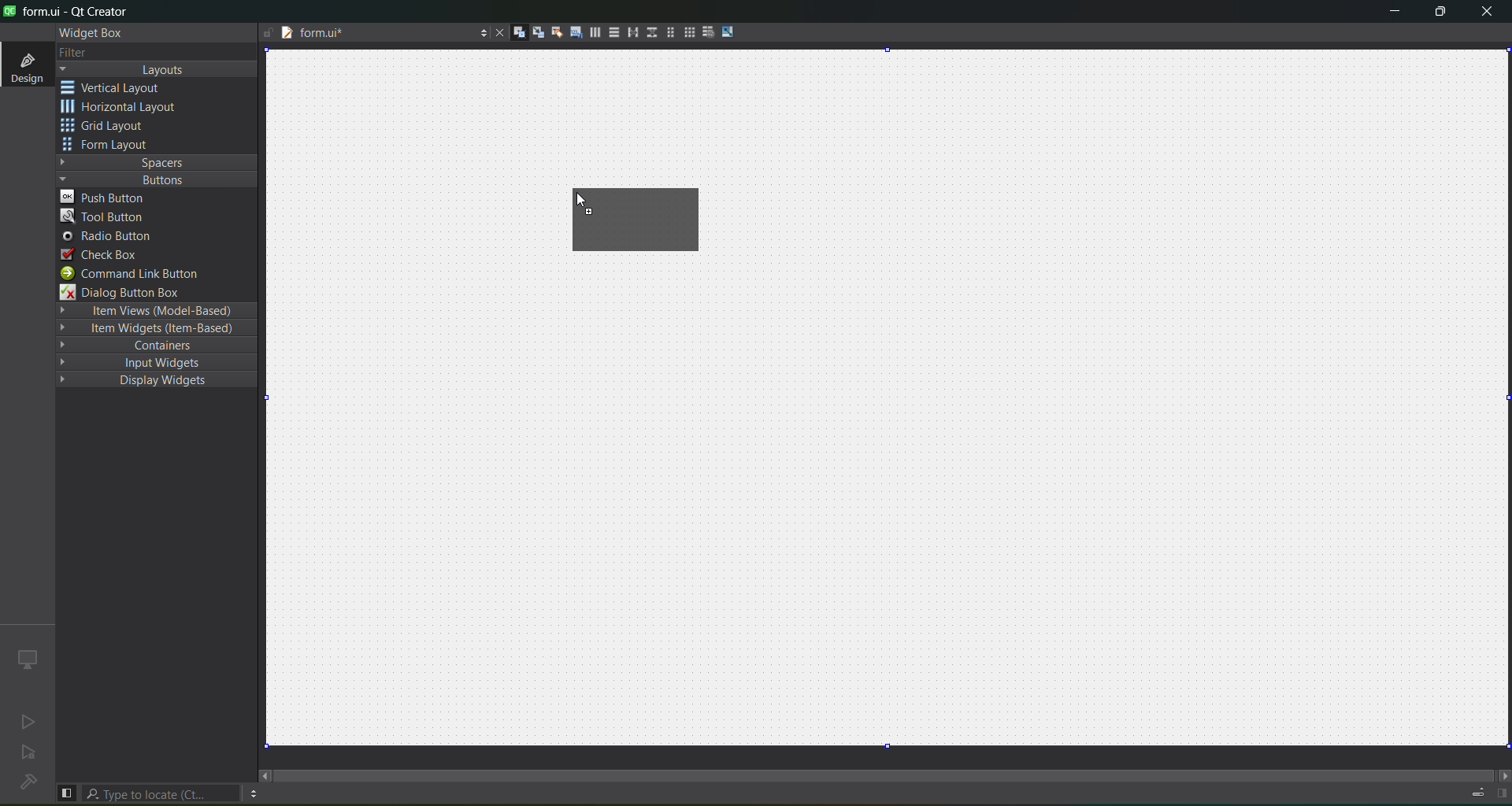 This screenshot has width=1512, height=806. Describe the element at coordinates (360, 35) in the screenshot. I see `tab name` at that location.